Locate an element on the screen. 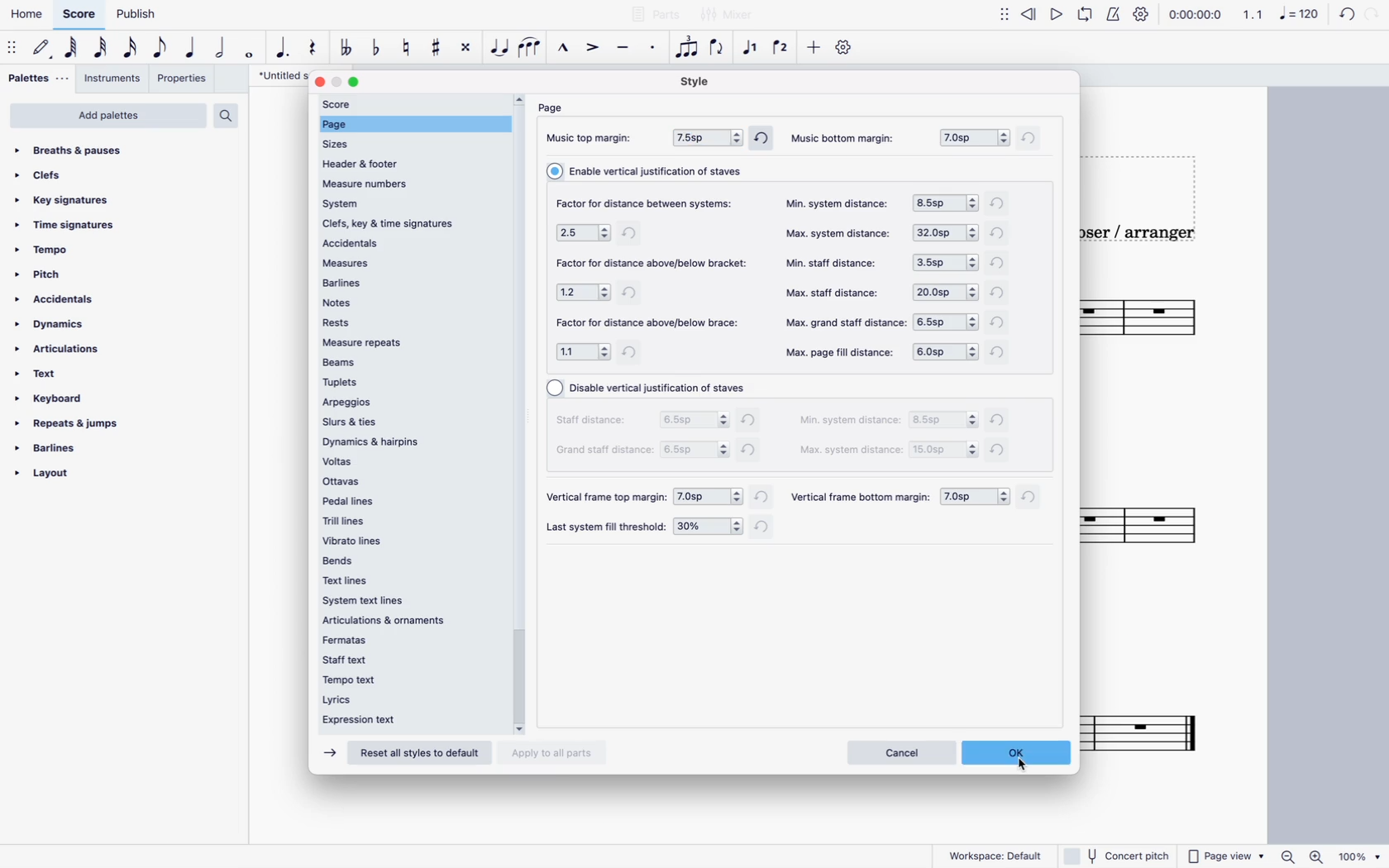 The height and width of the screenshot is (868, 1389). rewind is located at coordinates (1028, 18).